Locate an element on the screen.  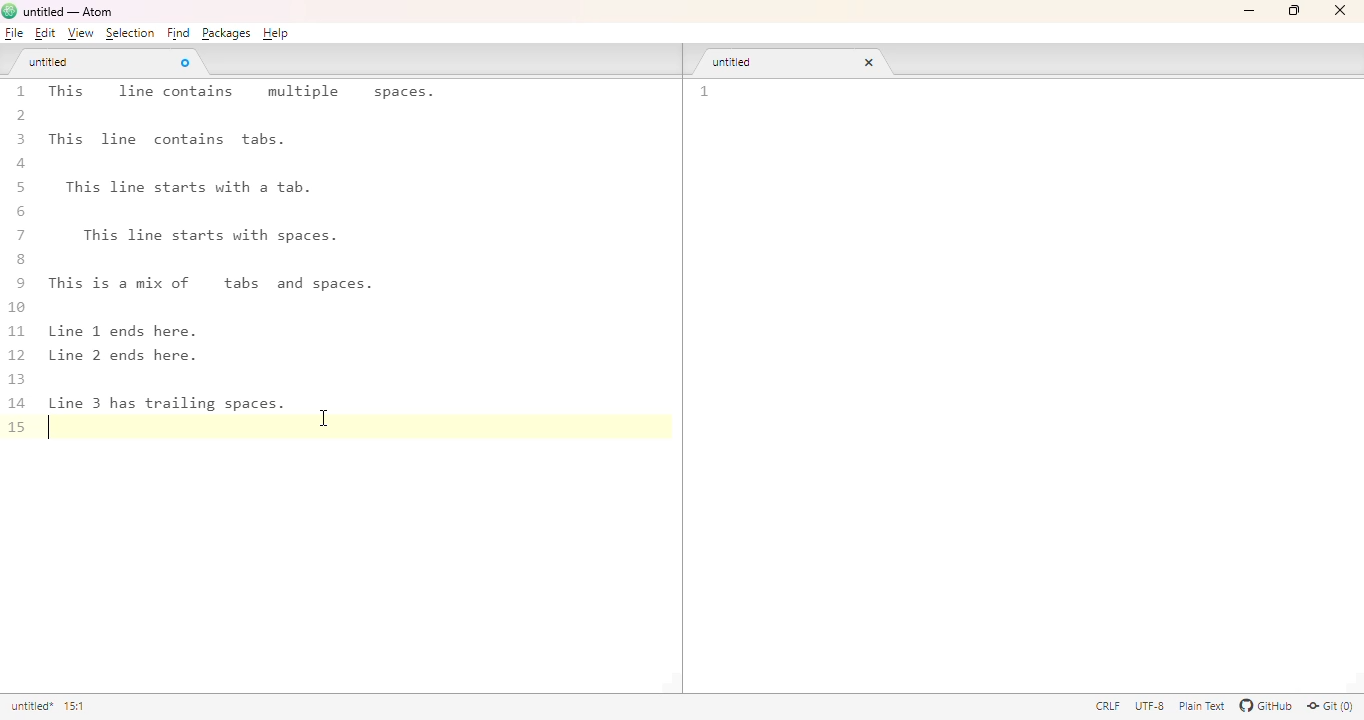
untitled is located at coordinates (31, 706).